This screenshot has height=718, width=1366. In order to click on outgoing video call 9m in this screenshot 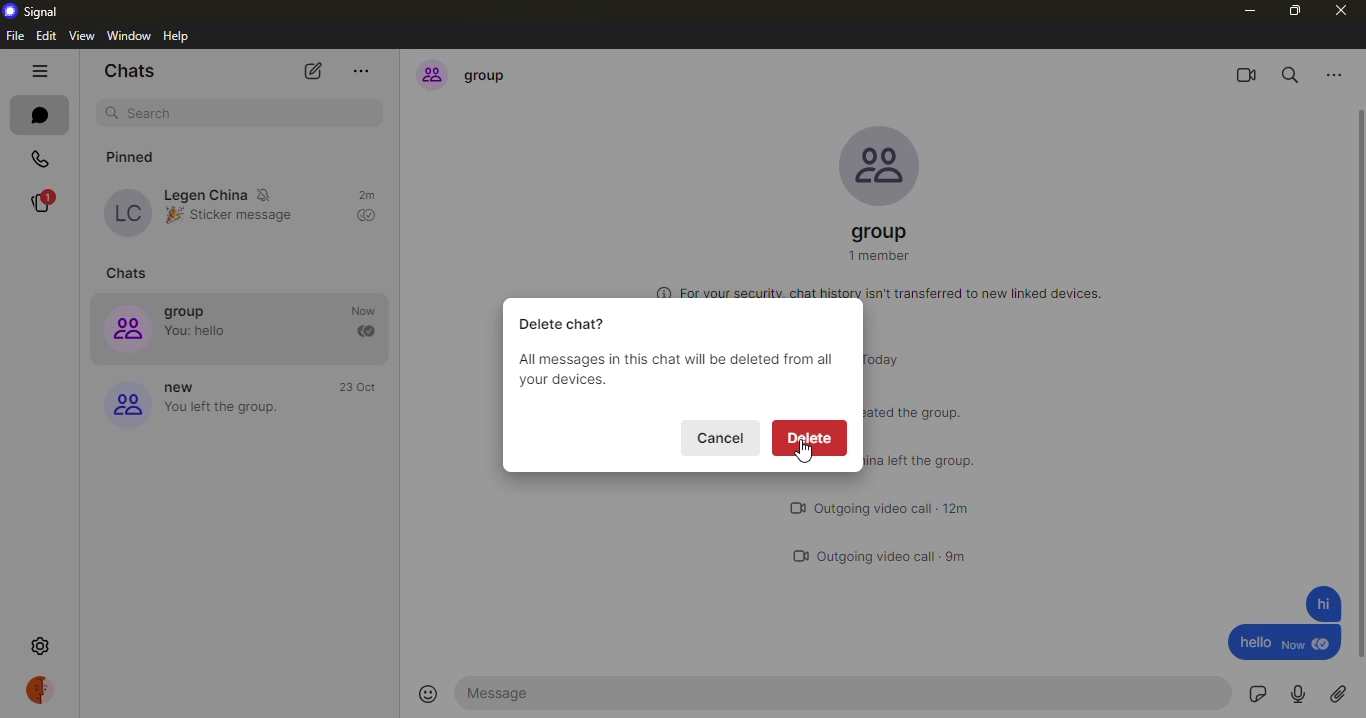, I will do `click(898, 553)`.